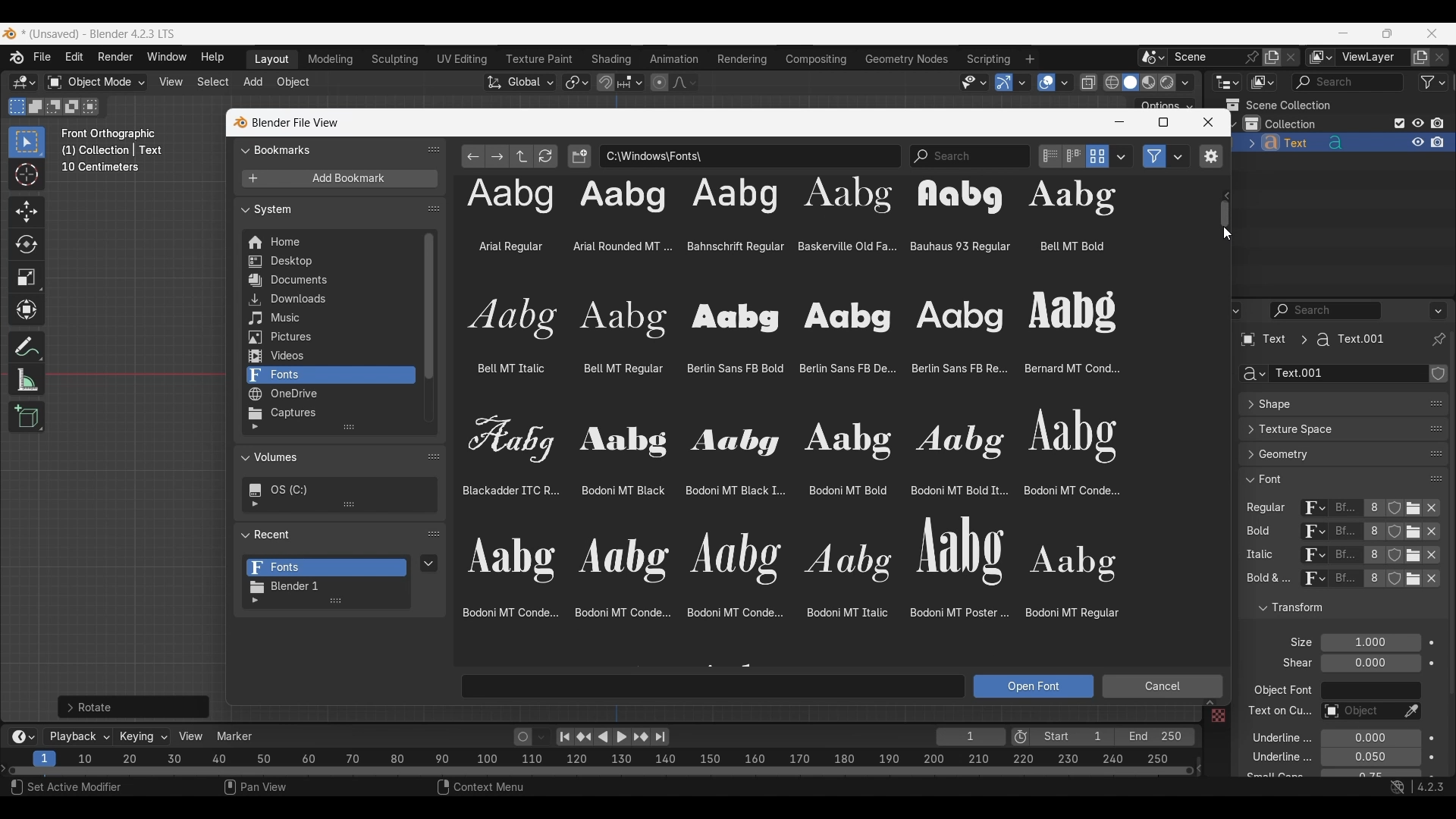 The height and width of the screenshot is (819, 1456). Describe the element at coordinates (565, 737) in the screenshot. I see `Jump to endpoint` at that location.